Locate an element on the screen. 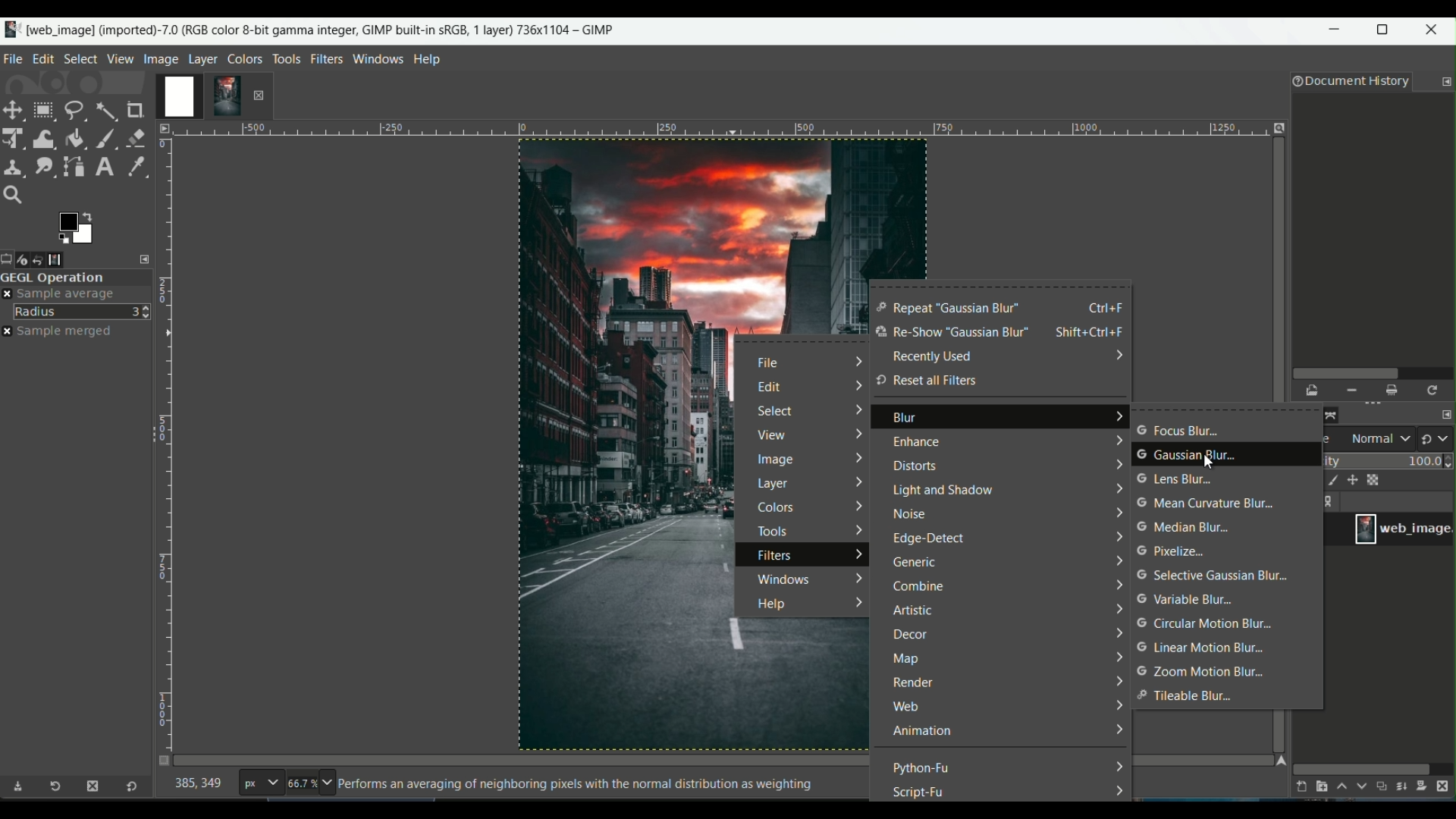 The height and width of the screenshot is (819, 1456). image is located at coordinates (775, 462).